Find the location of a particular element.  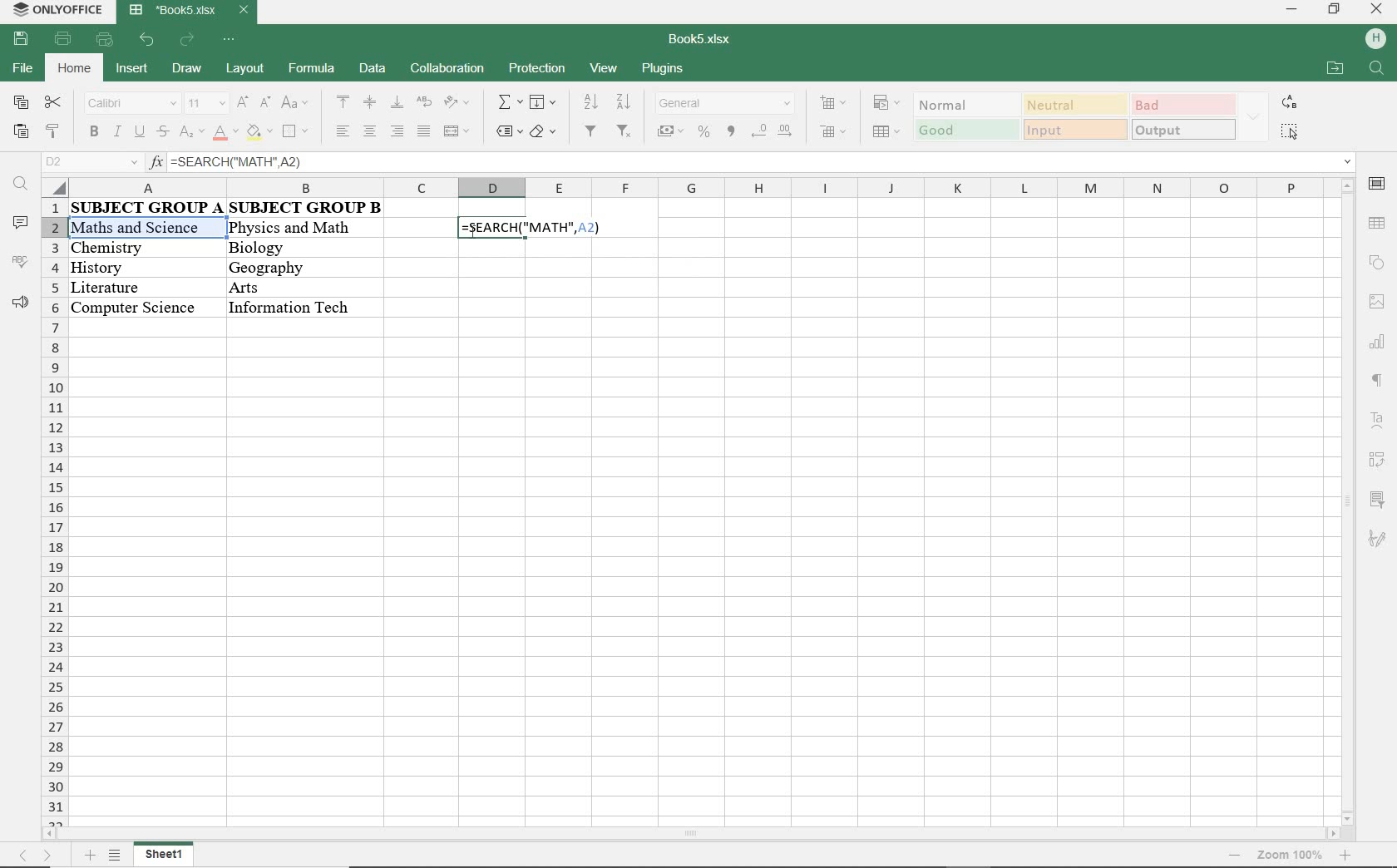

increment font size is located at coordinates (240, 104).